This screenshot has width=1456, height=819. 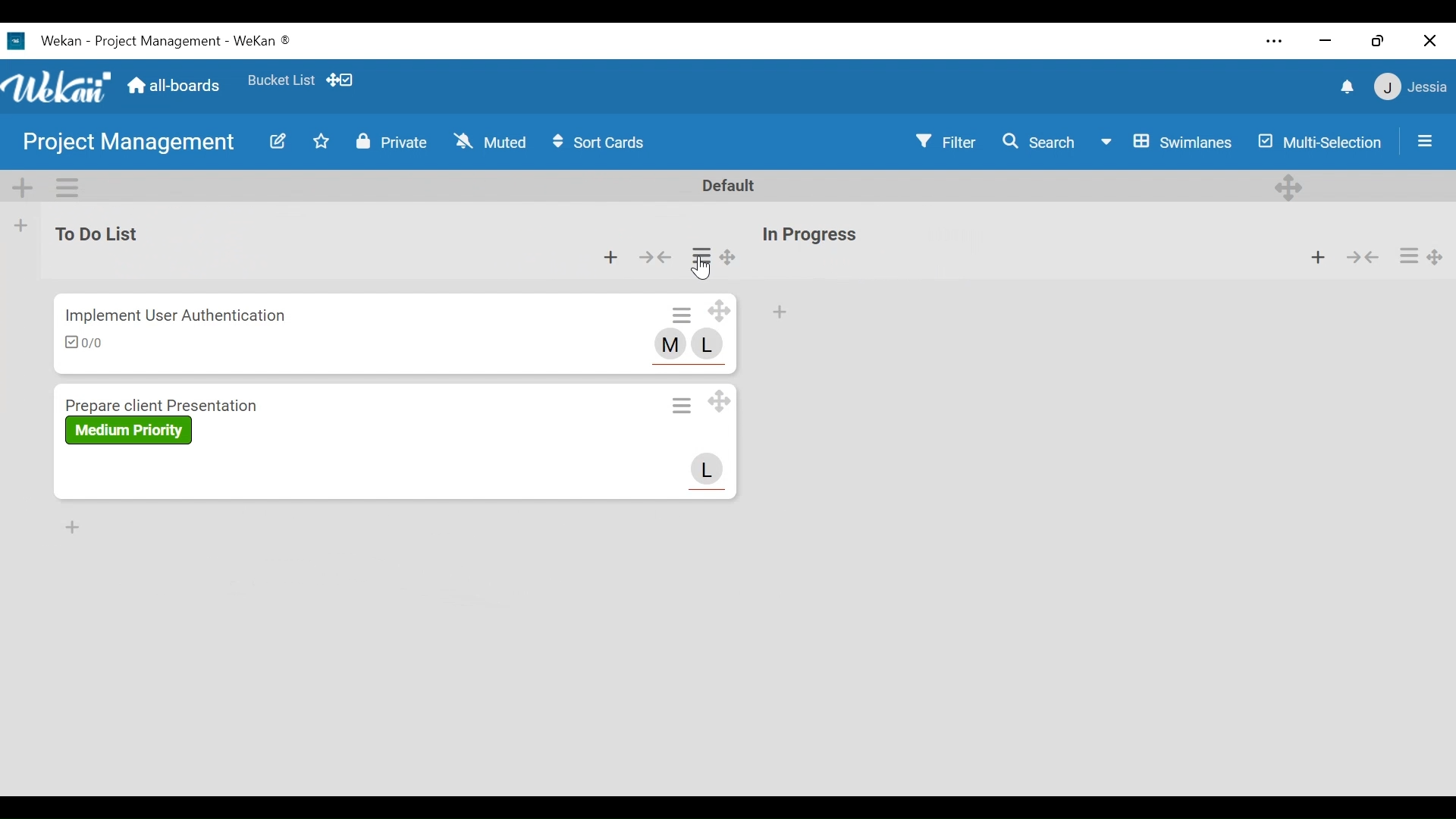 I want to click on List Actions, so click(x=1409, y=255).